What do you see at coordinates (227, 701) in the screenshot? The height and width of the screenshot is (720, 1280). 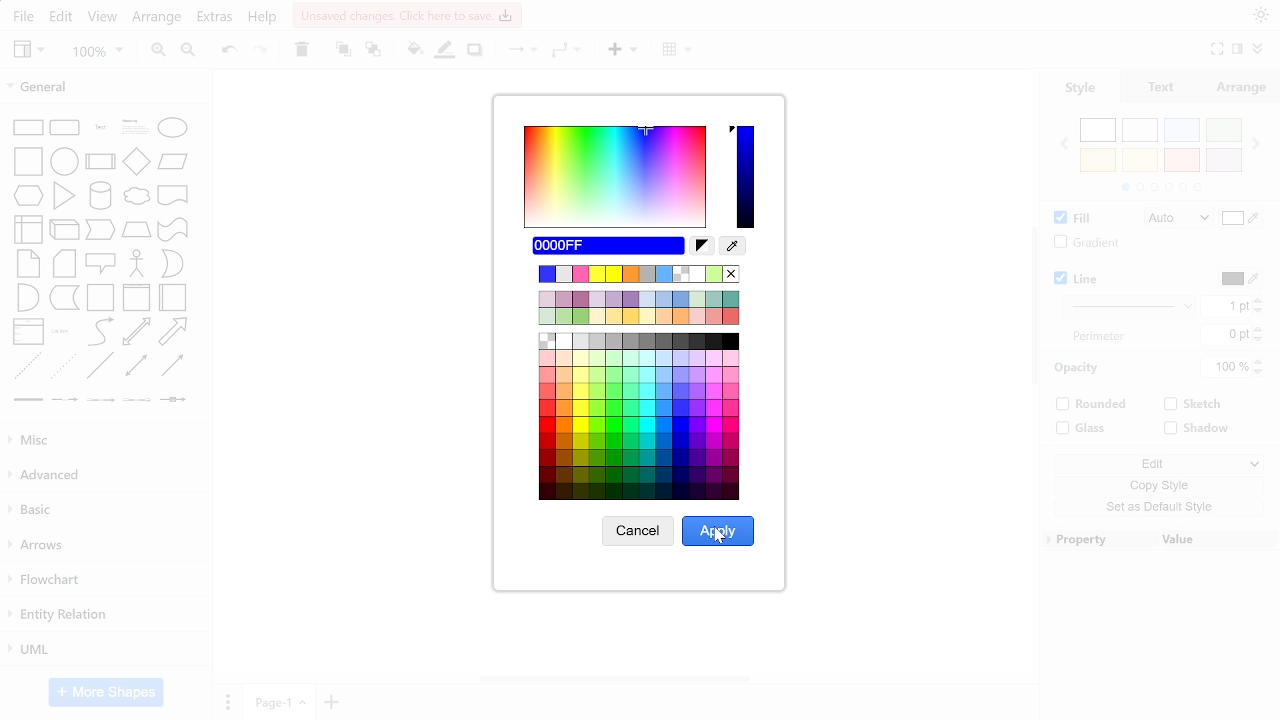 I see `pages` at bounding box center [227, 701].